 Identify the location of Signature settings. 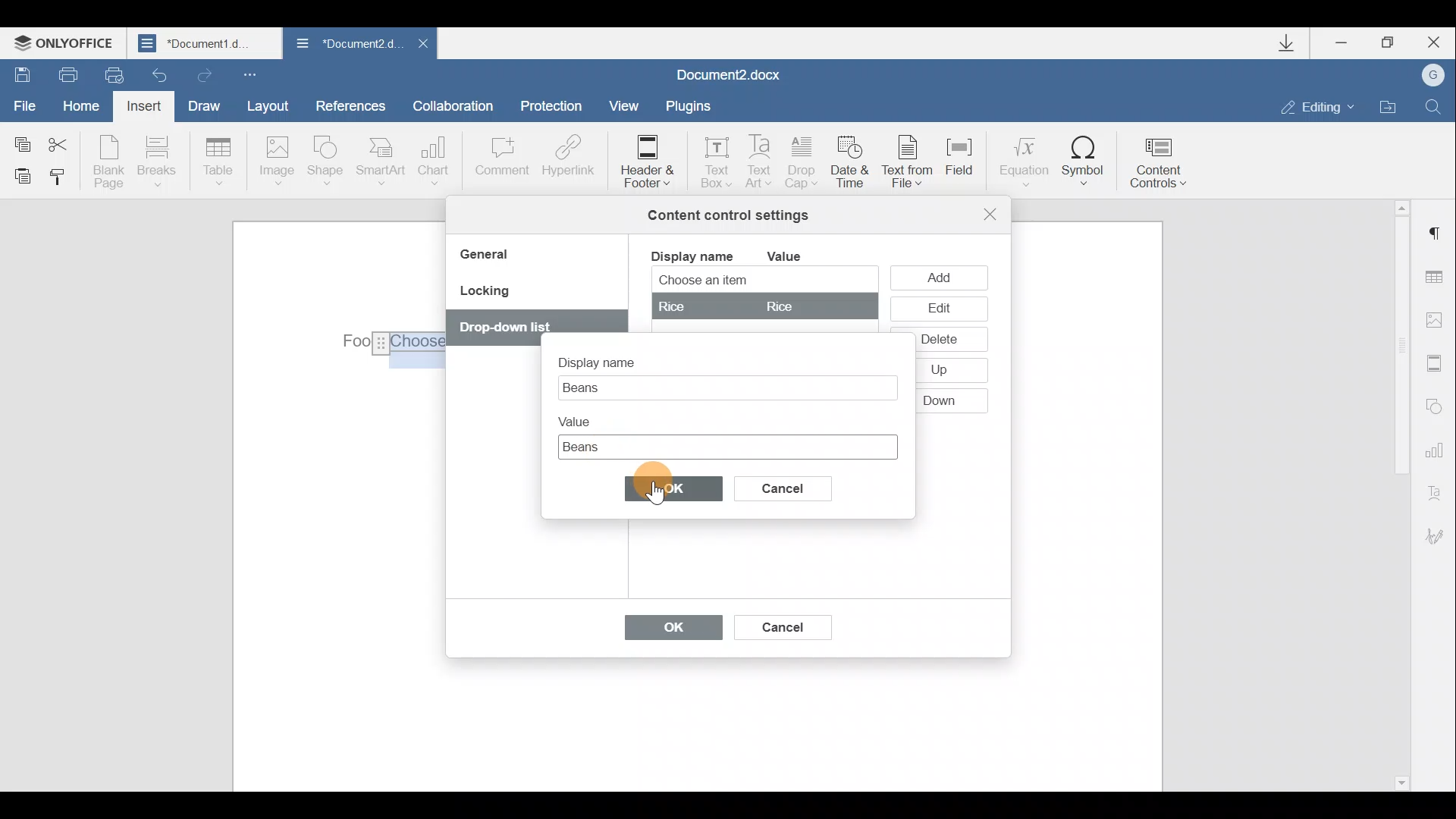
(1441, 536).